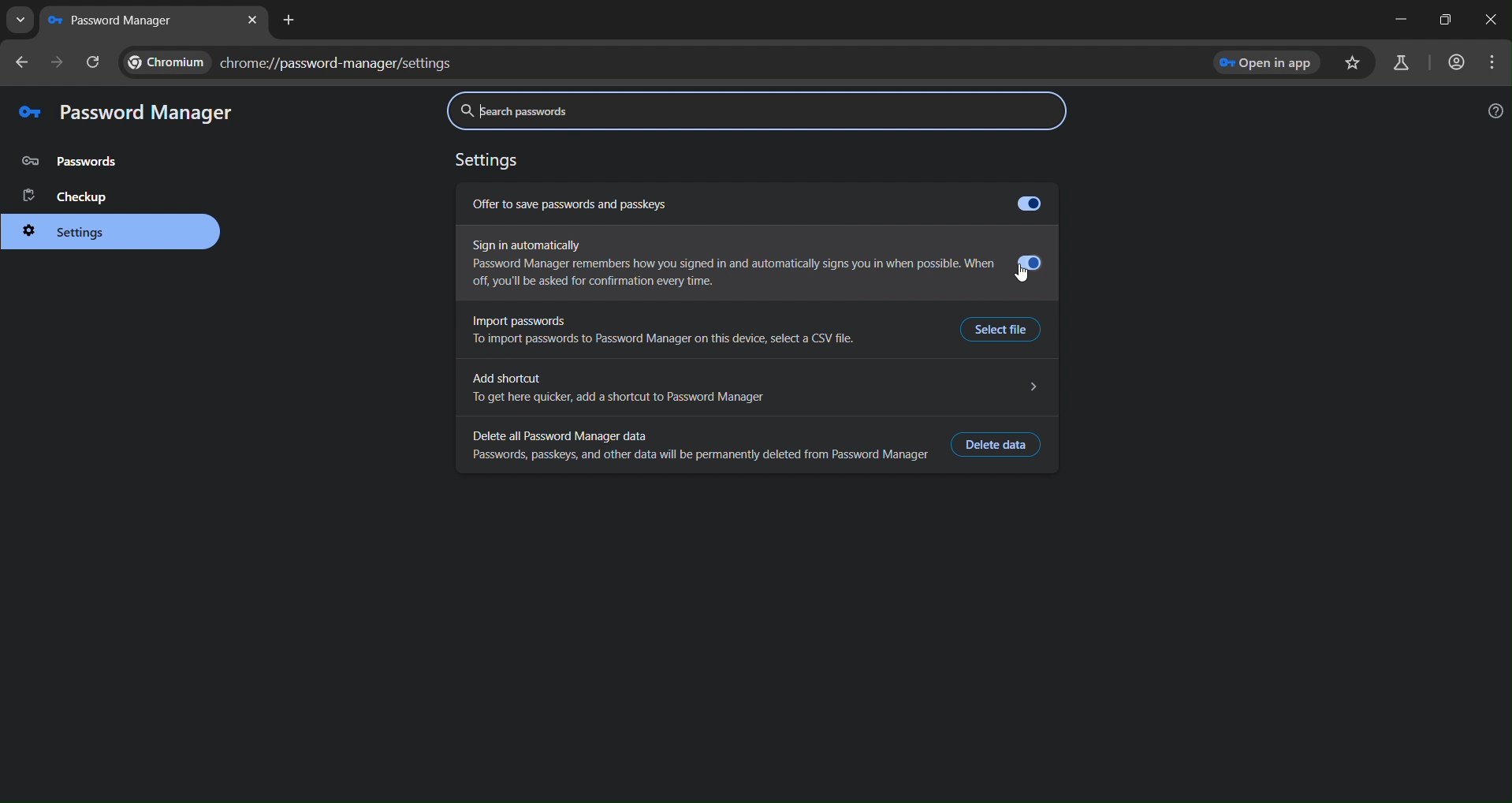 The height and width of the screenshot is (803, 1512). Describe the element at coordinates (1458, 62) in the screenshot. I see `accounts` at that location.